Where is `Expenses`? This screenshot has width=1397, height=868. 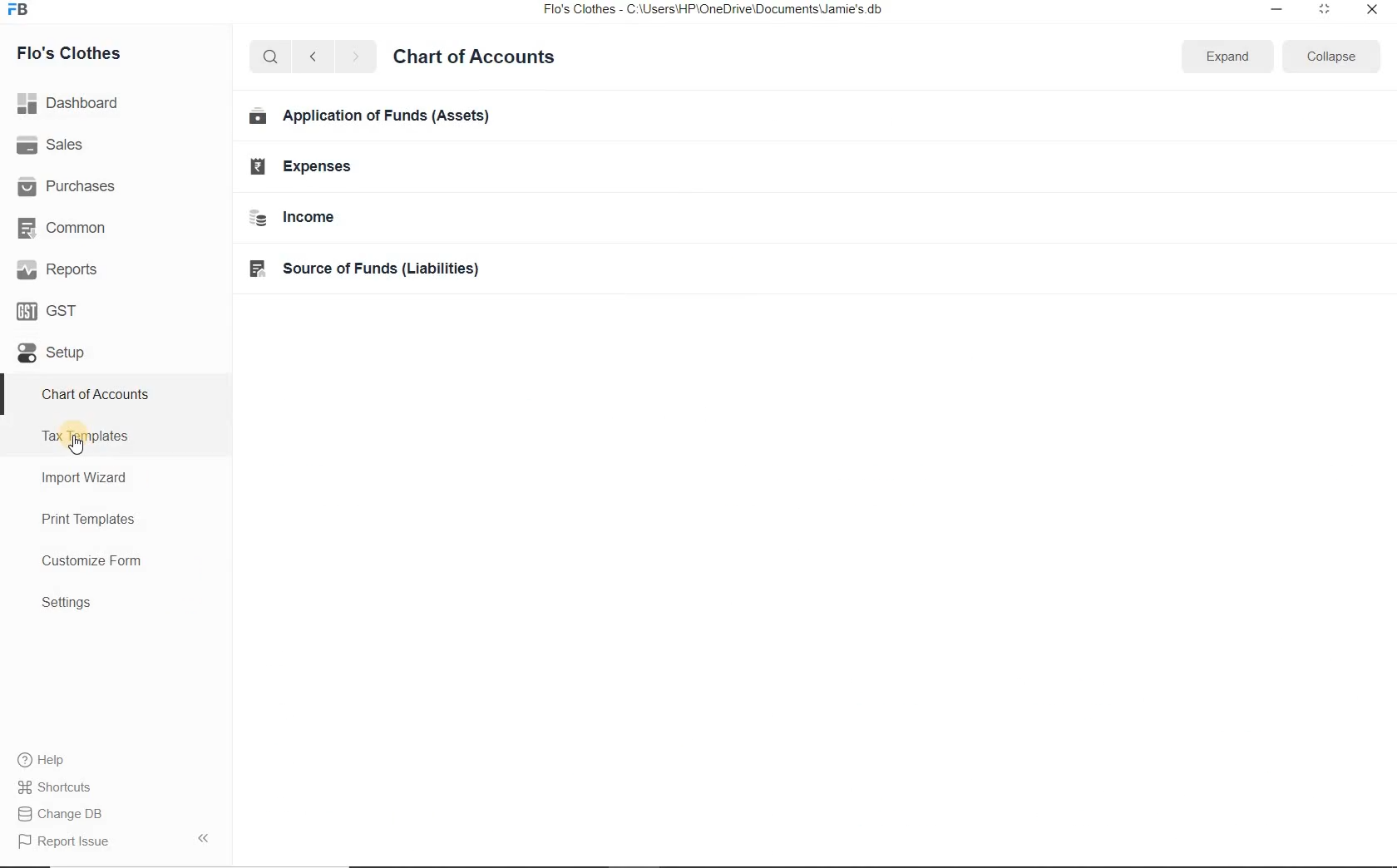 Expenses is located at coordinates (397, 167).